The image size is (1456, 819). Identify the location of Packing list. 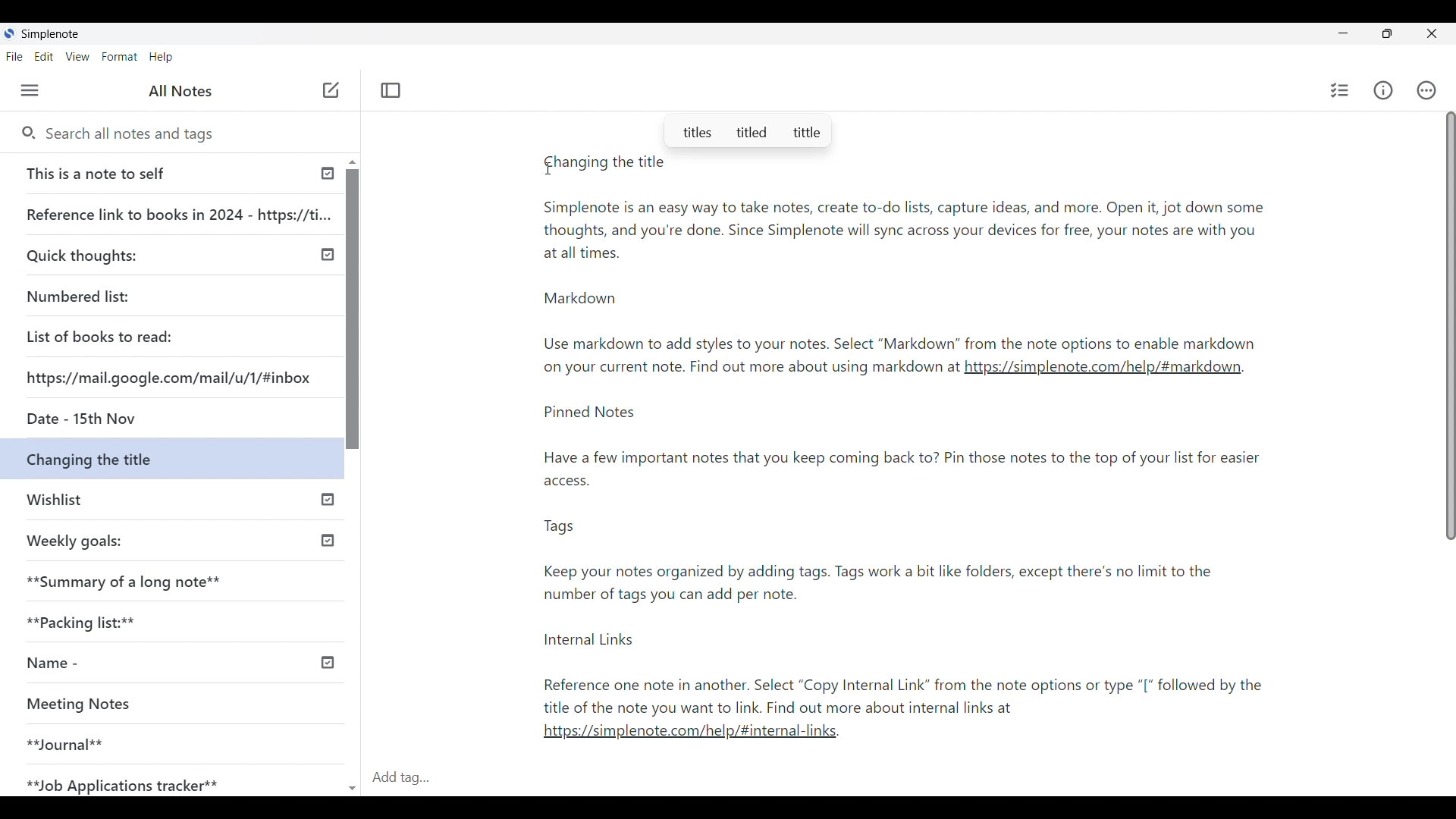
(79, 622).